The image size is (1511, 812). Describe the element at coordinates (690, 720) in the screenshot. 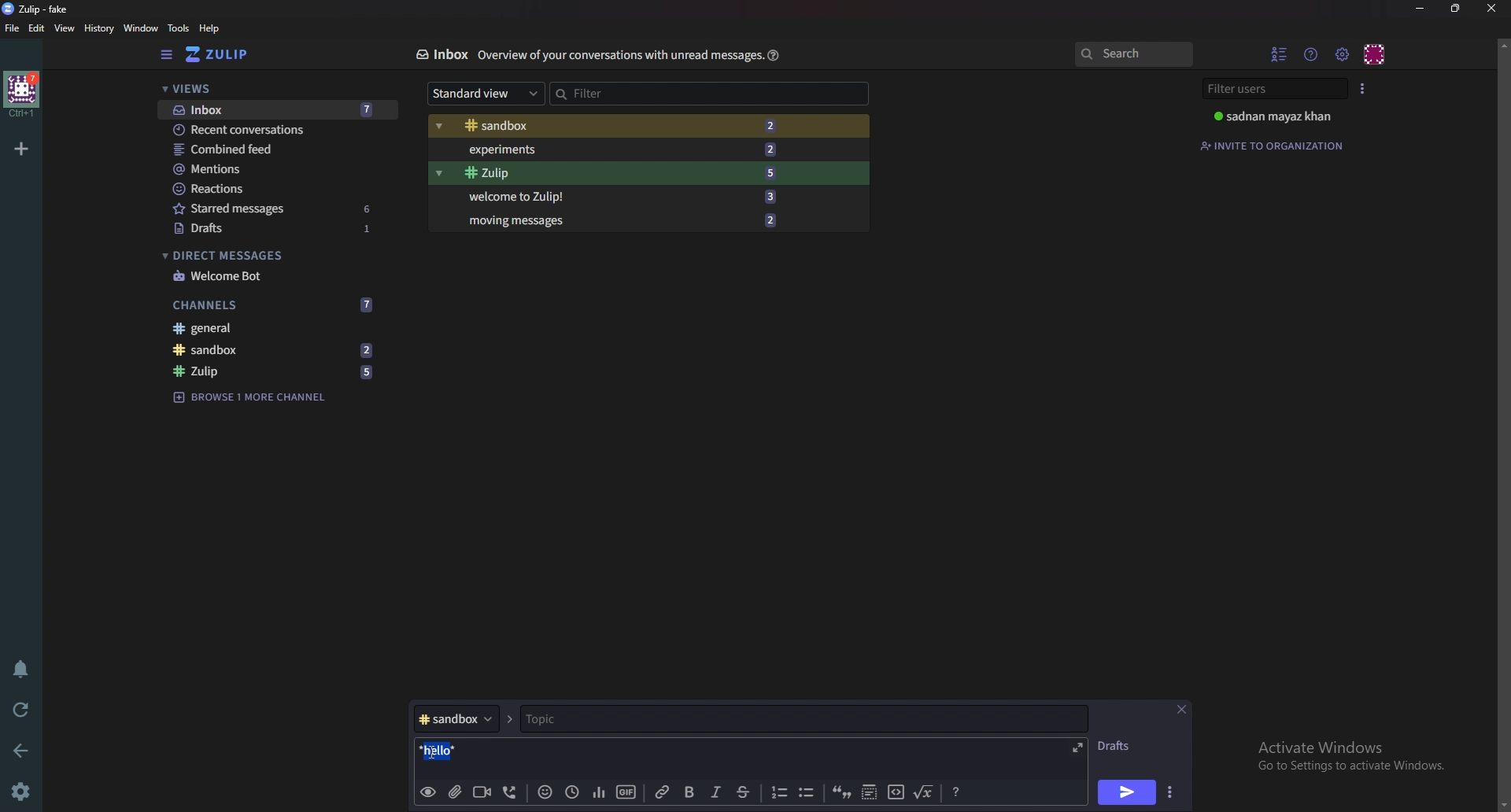

I see `topic` at that location.